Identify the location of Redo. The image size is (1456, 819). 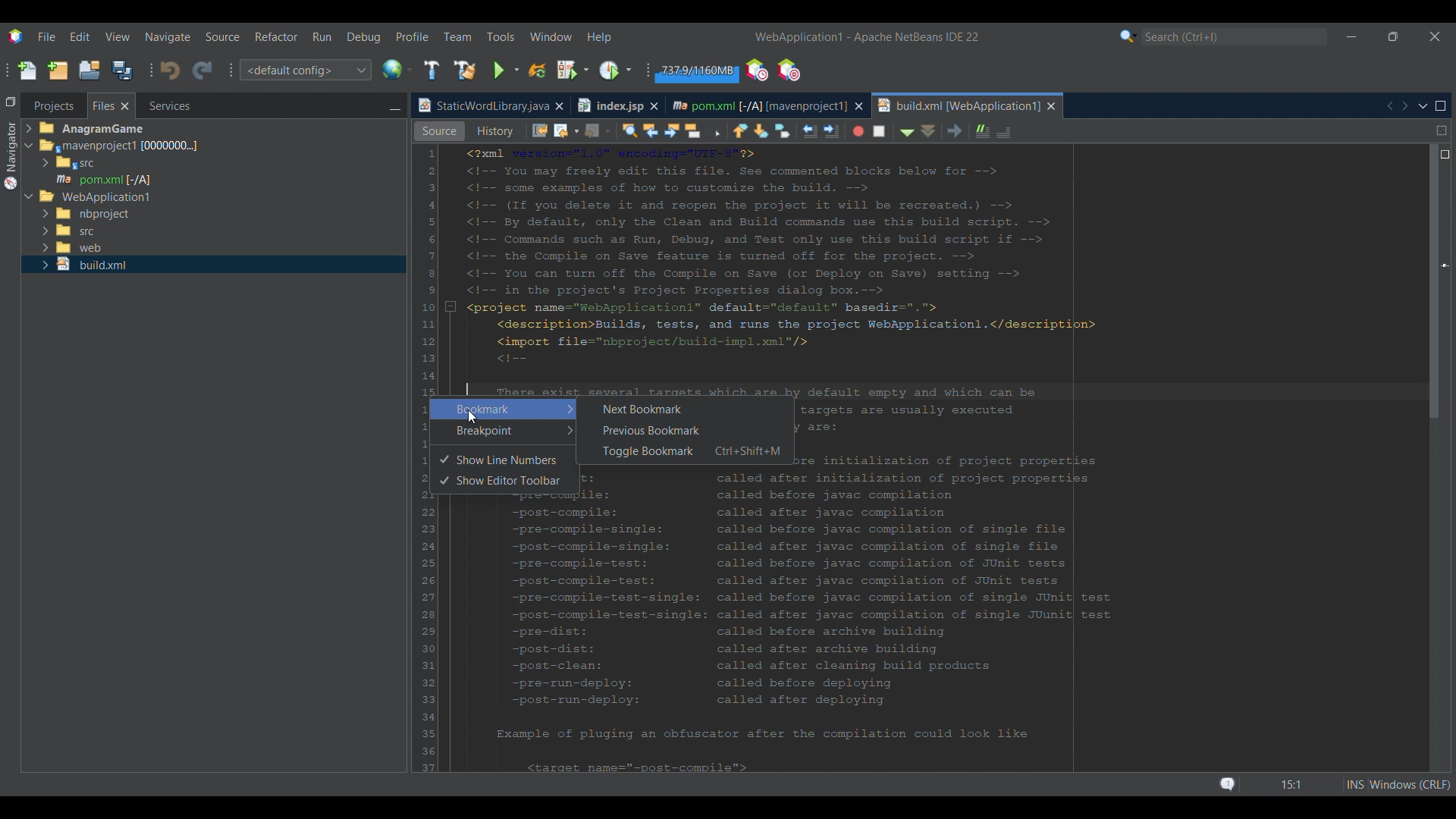
(202, 71).